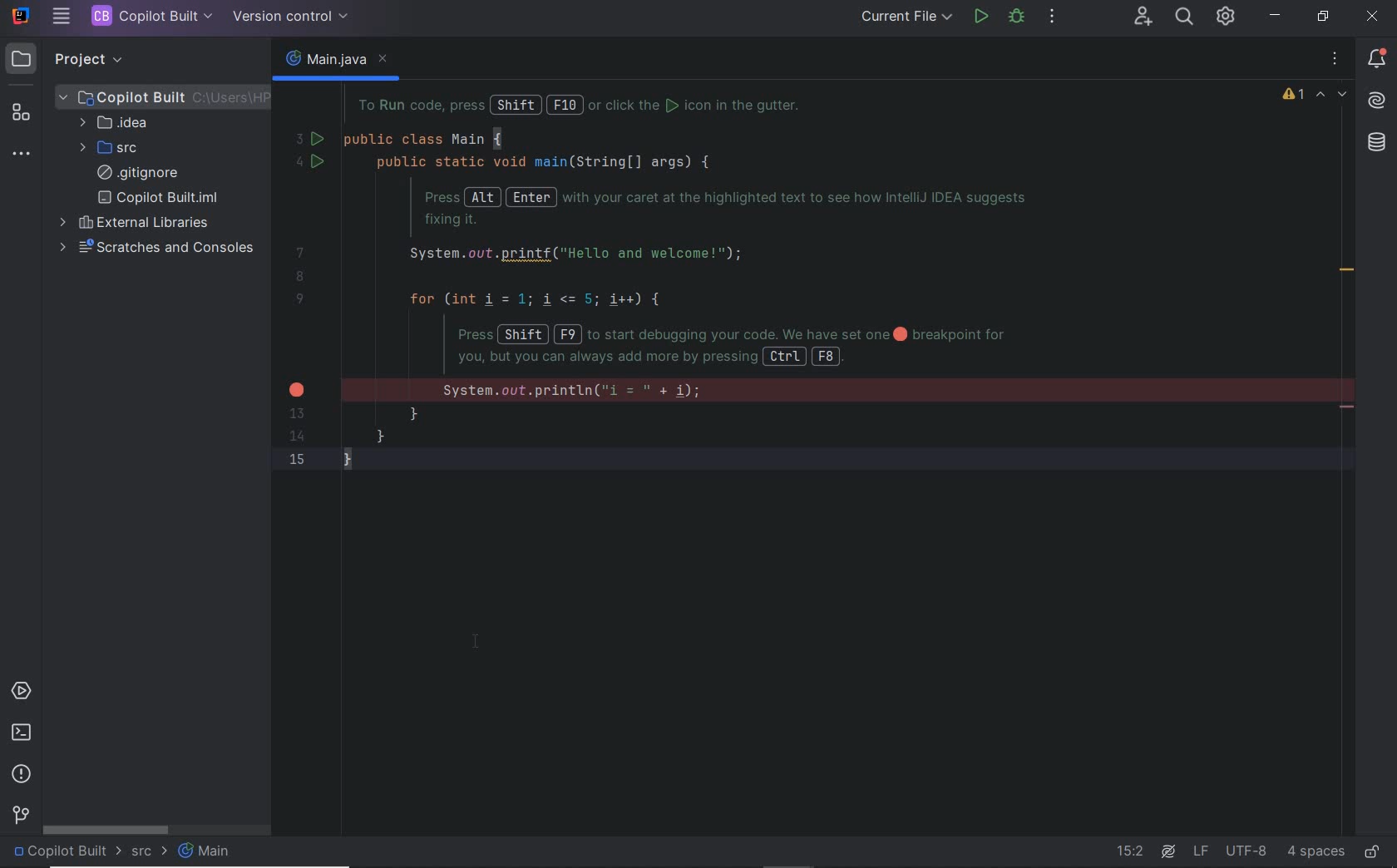  I want to click on 3, so click(300, 137).